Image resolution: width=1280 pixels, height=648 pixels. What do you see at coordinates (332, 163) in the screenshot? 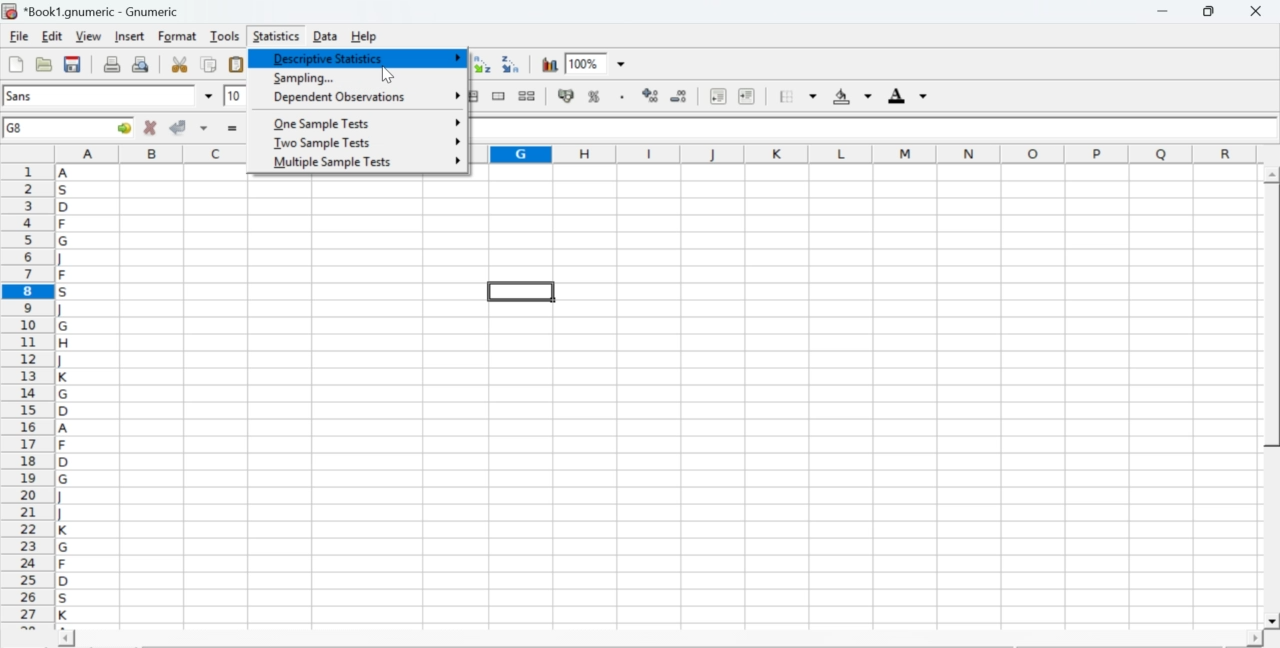
I see `multiple sample tests` at bounding box center [332, 163].